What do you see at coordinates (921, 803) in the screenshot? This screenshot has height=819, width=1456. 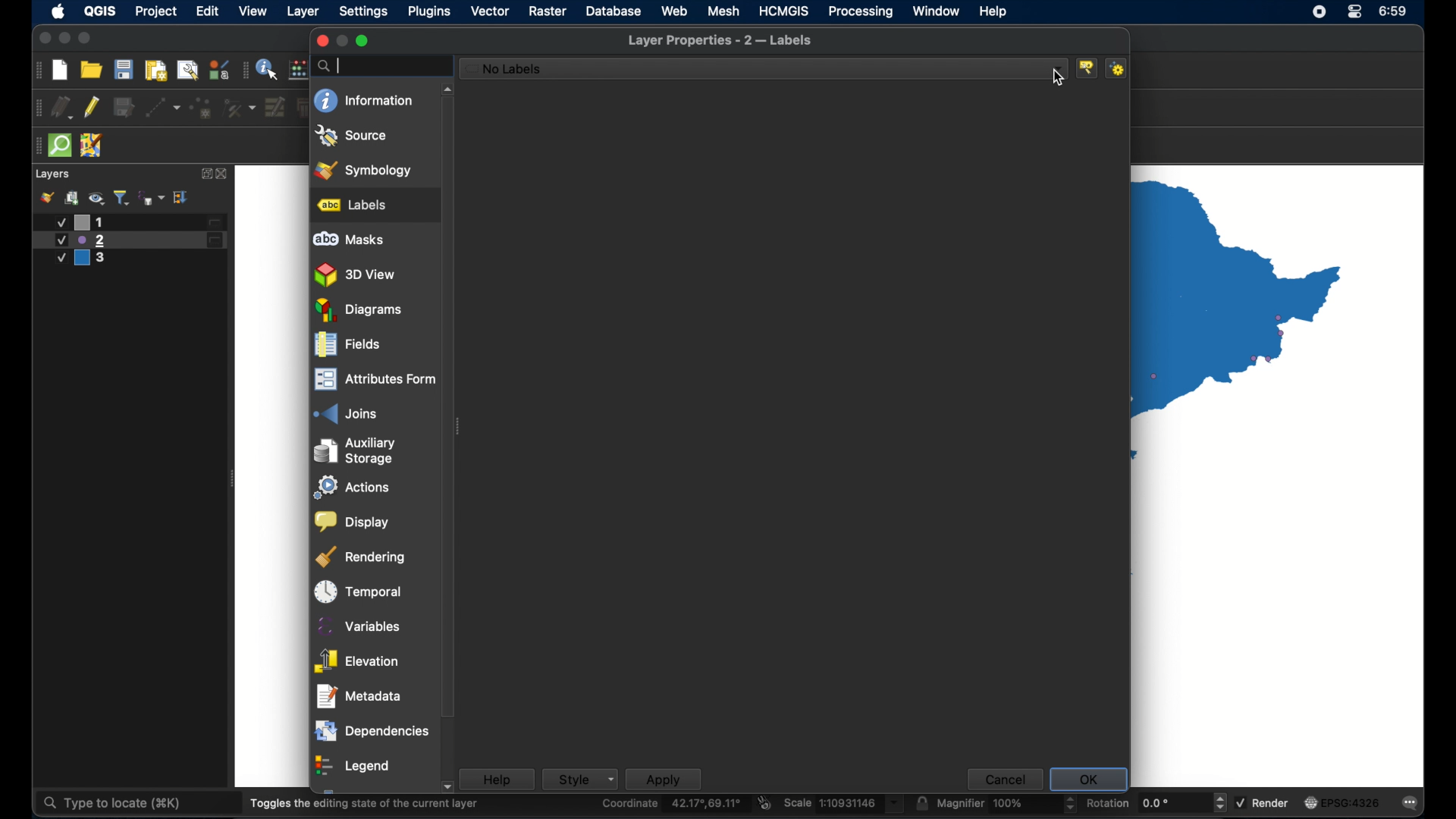 I see `lock scale` at bounding box center [921, 803].